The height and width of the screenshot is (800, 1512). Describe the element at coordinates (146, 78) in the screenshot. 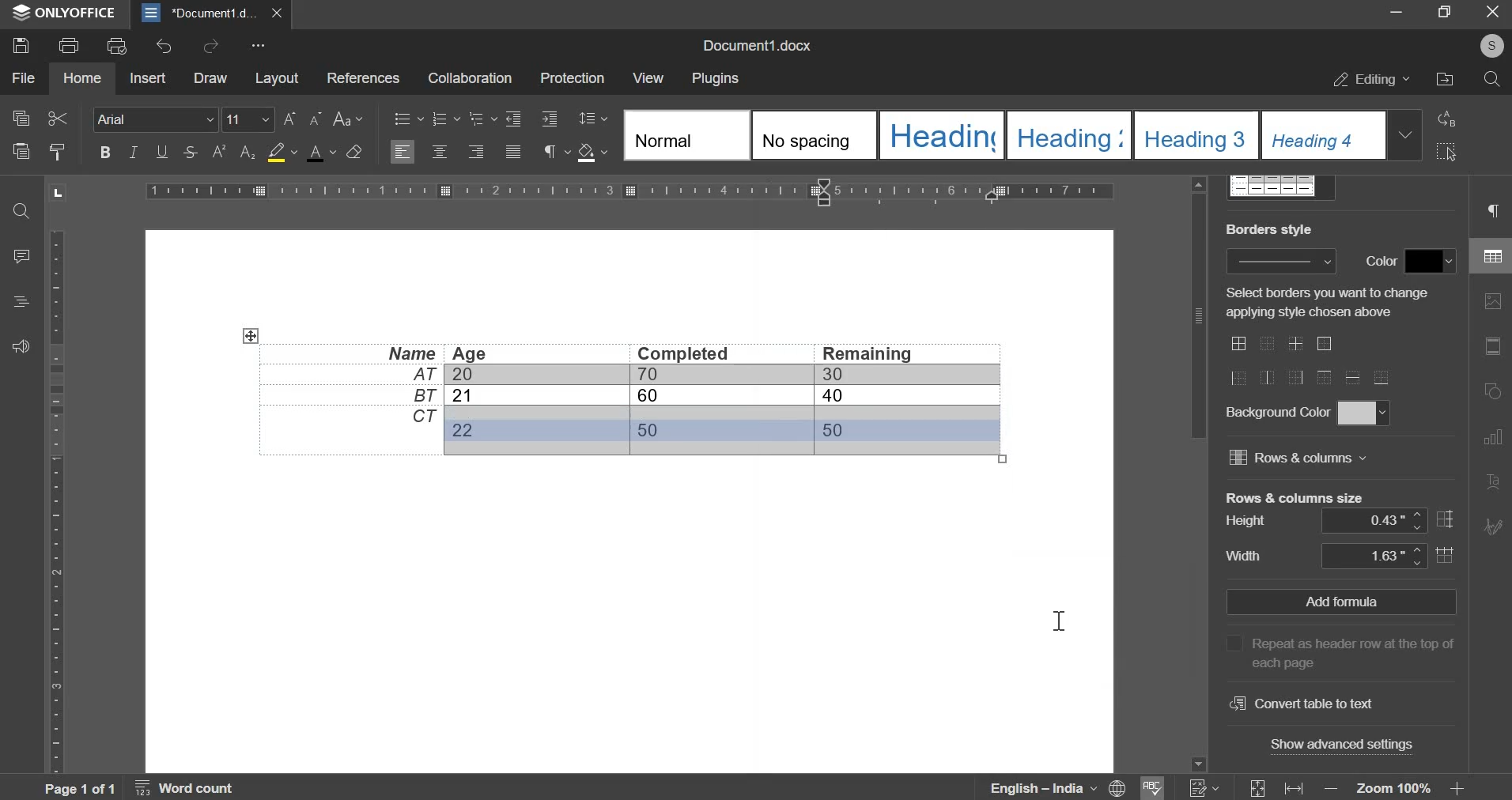

I see `insert` at that location.